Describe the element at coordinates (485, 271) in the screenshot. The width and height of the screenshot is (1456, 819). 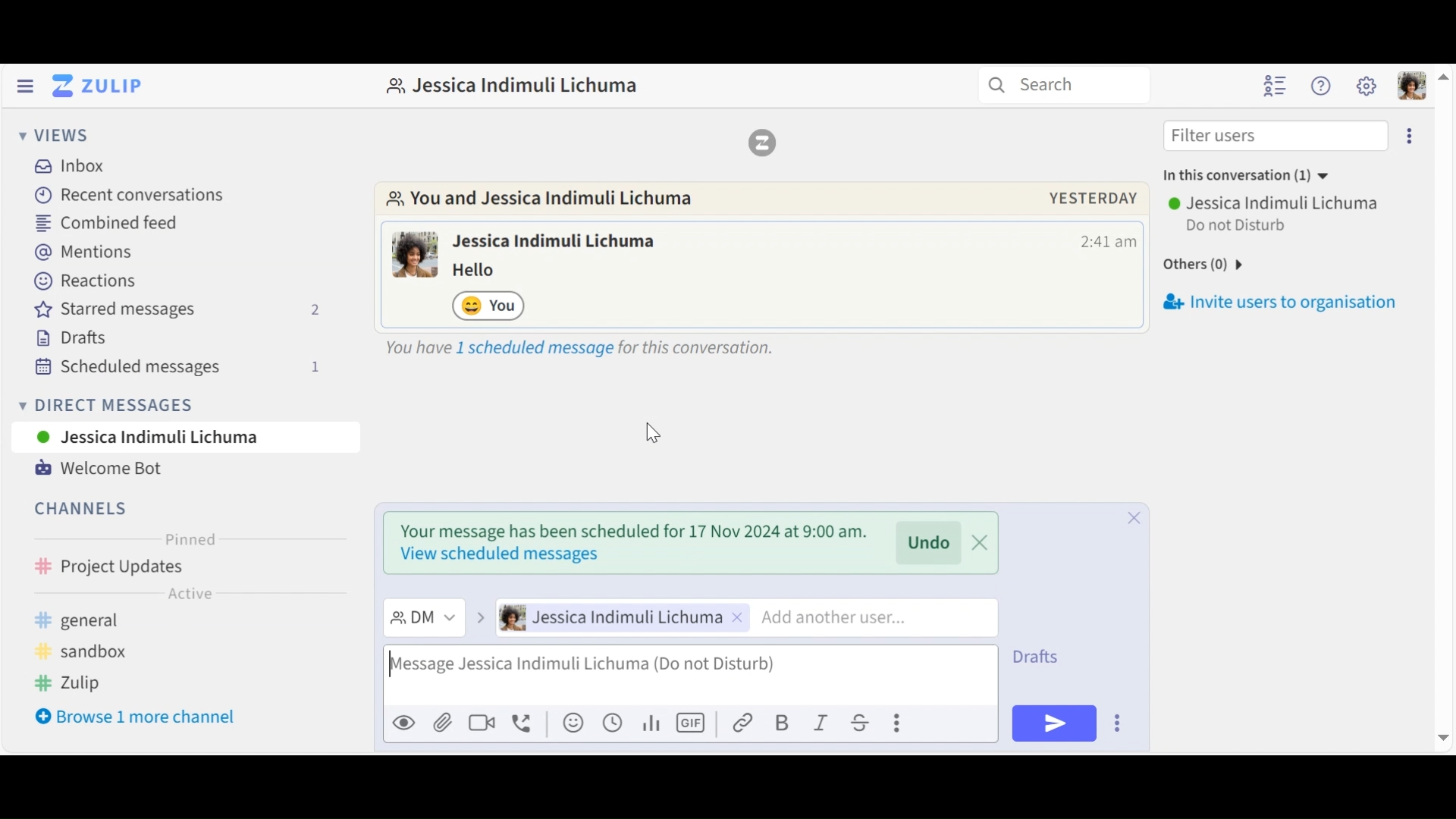
I see `Messages` at that location.